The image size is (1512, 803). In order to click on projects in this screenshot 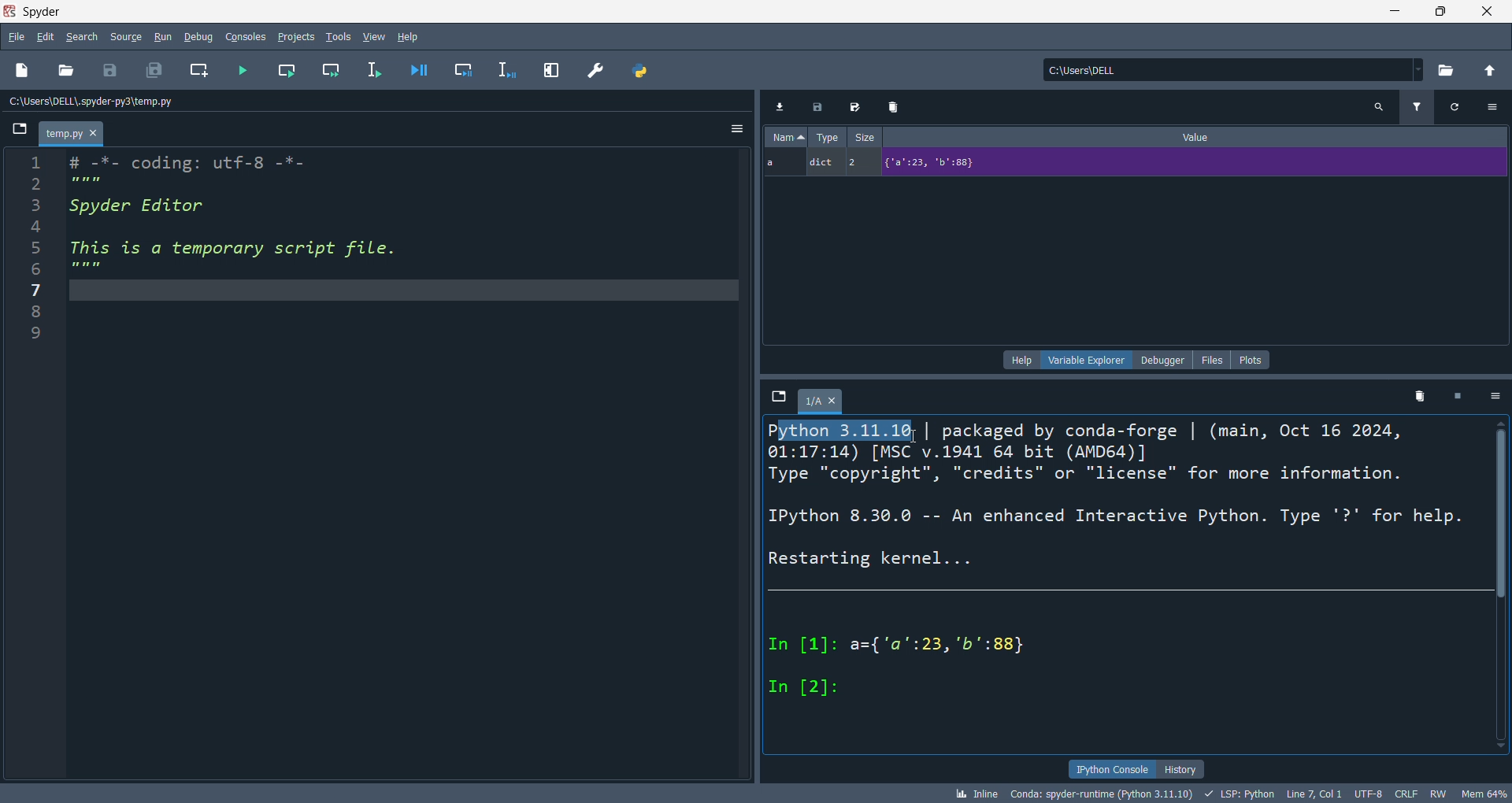, I will do `click(299, 37)`.